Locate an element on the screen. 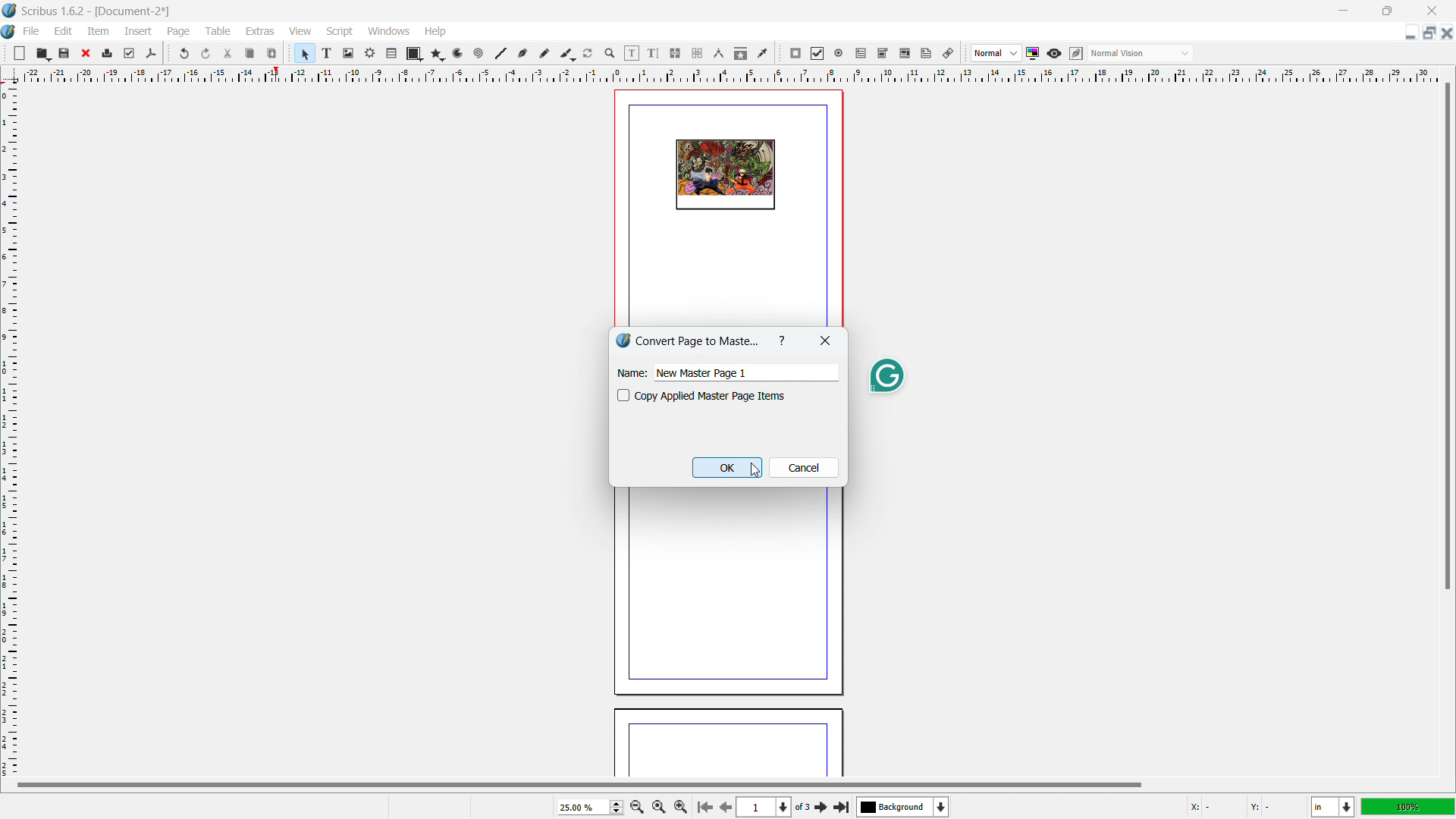  edit text with story editor is located at coordinates (653, 53).